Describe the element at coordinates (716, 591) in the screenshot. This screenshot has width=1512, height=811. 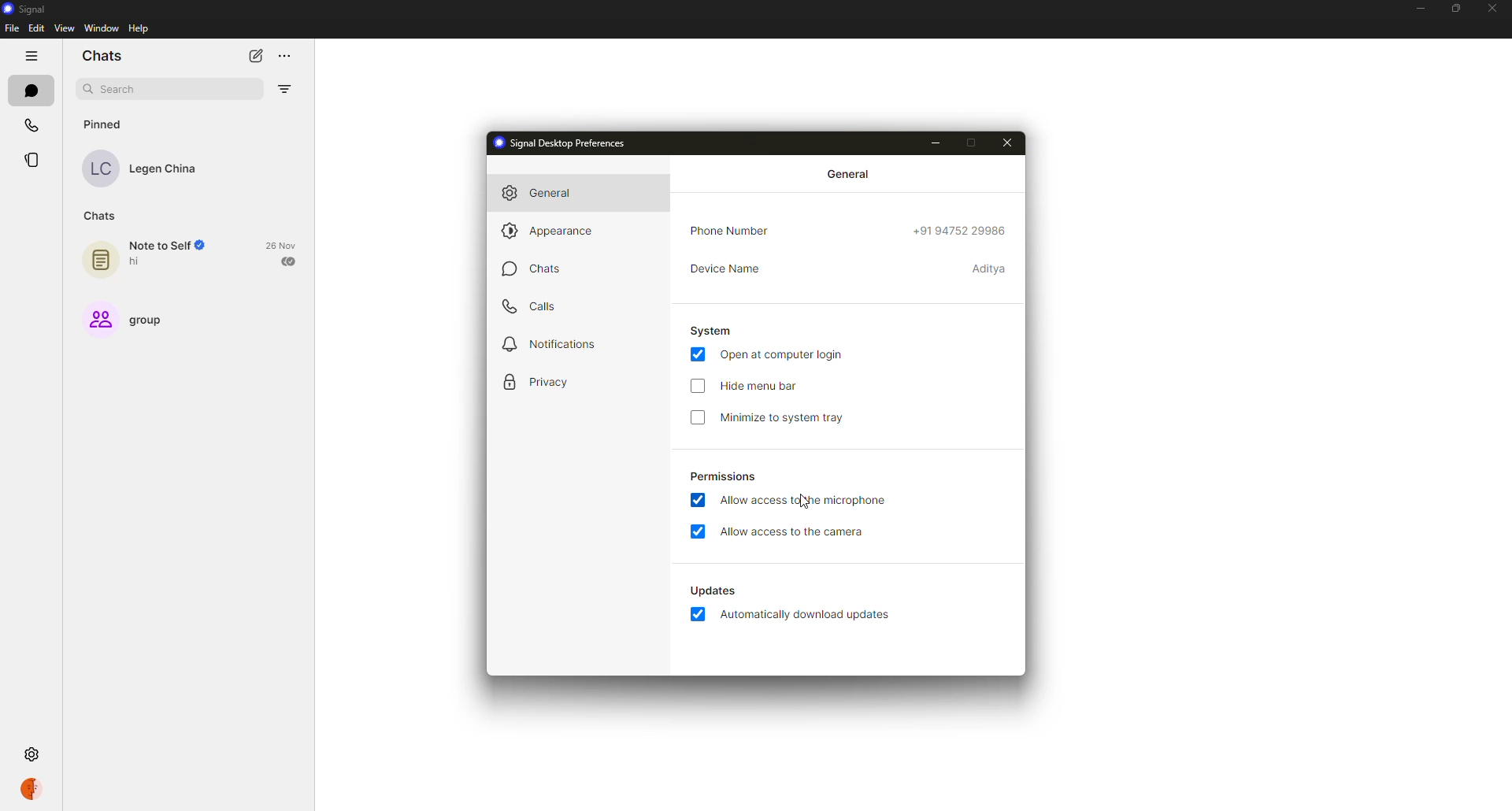
I see `automatically download updates` at that location.